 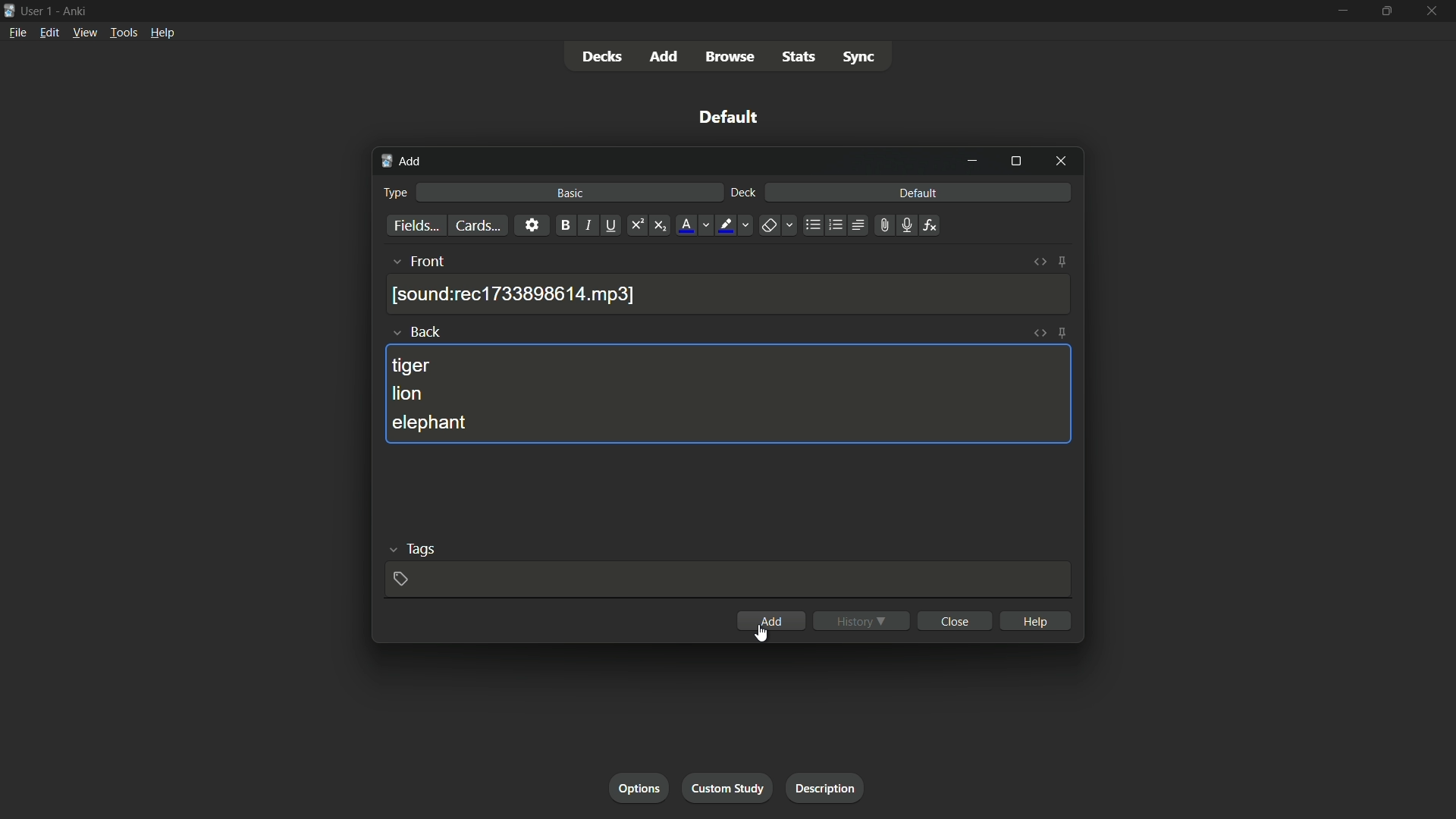 What do you see at coordinates (427, 422) in the screenshot?
I see `elephant` at bounding box center [427, 422].